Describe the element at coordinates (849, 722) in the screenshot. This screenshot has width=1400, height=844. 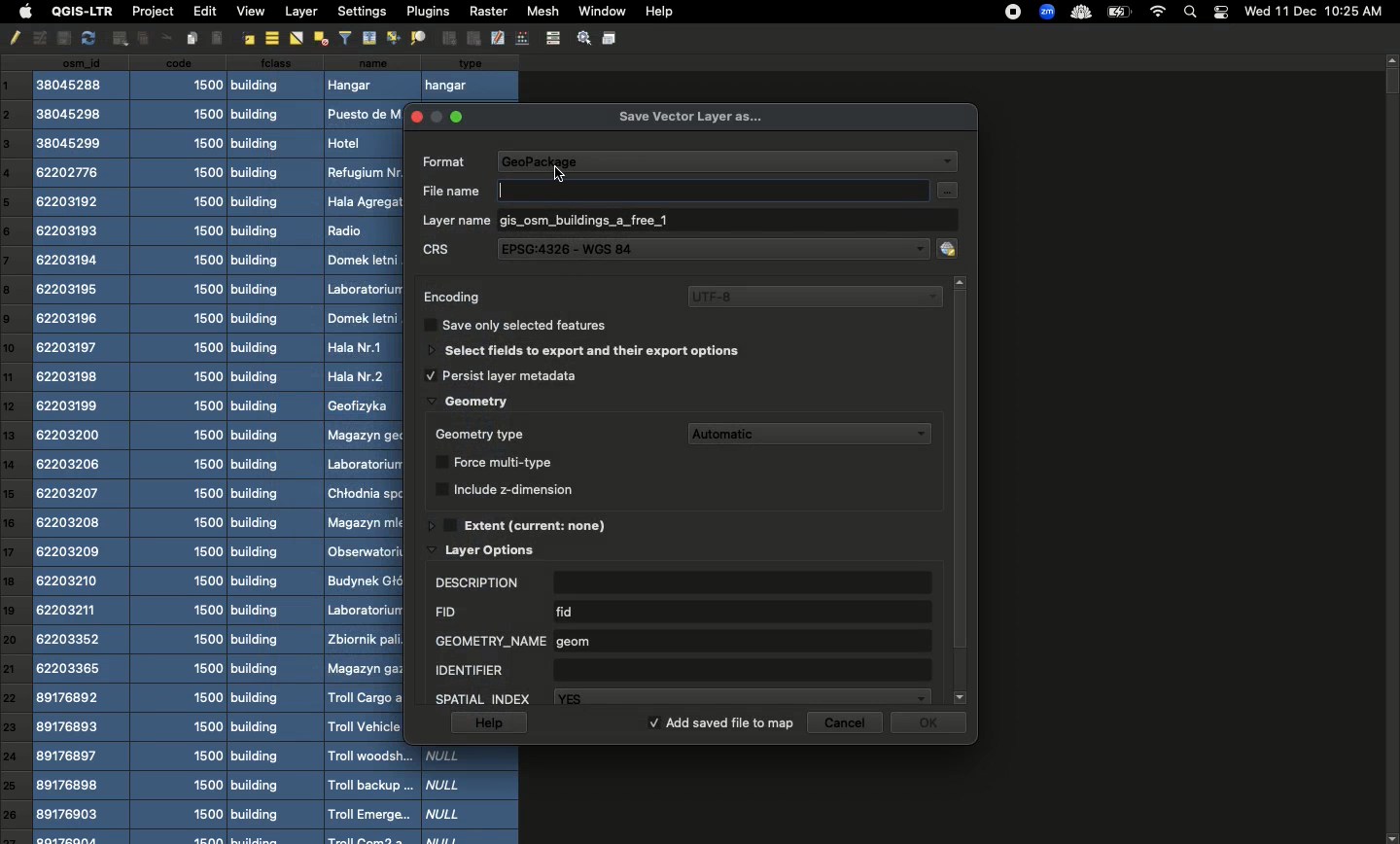
I see `Cancel` at that location.